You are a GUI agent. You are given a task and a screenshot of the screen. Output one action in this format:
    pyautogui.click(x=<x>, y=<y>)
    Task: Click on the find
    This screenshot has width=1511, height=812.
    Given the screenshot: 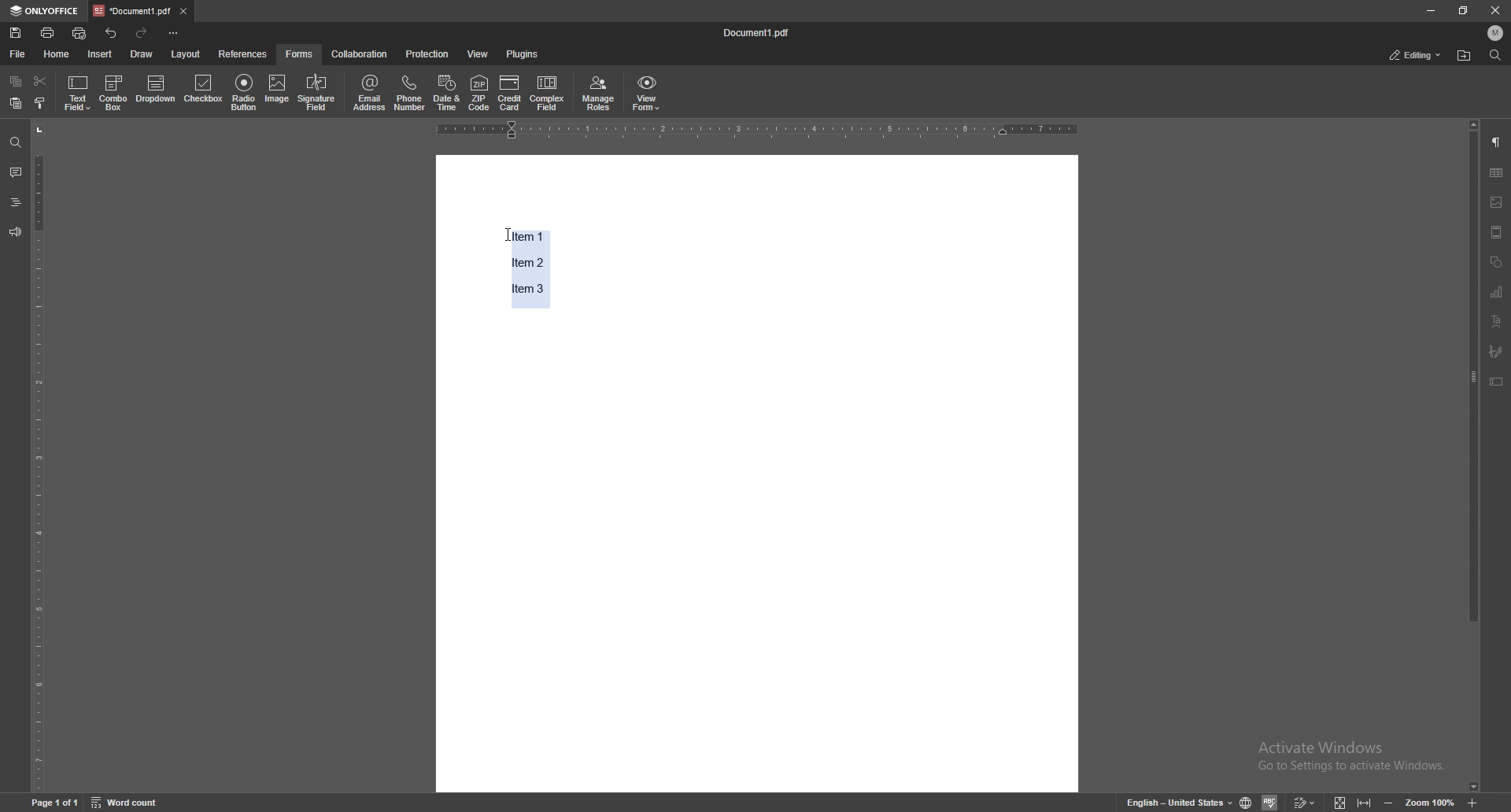 What is the action you would take?
    pyautogui.click(x=15, y=142)
    